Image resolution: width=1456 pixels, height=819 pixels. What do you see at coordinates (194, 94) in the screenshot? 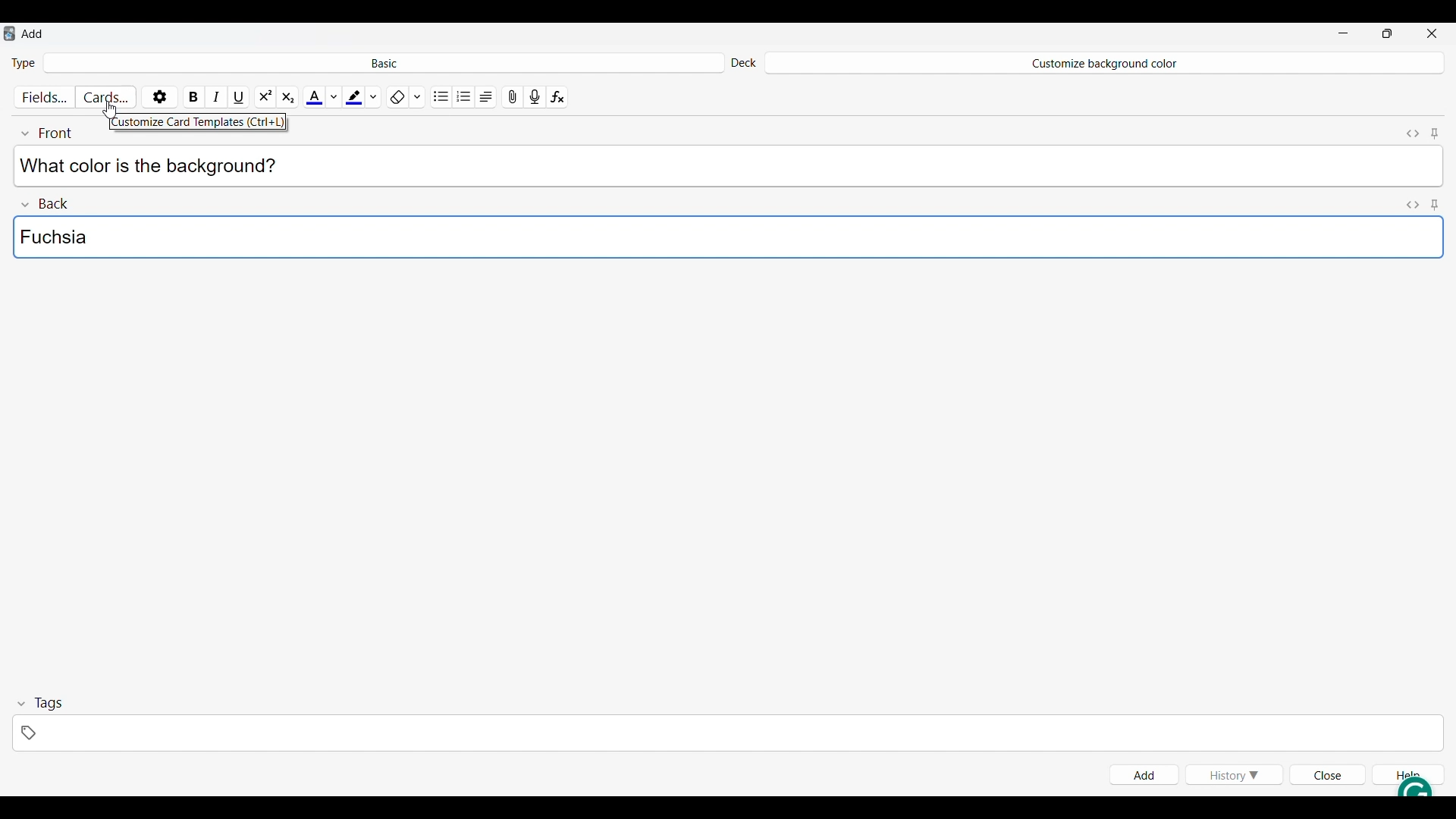
I see `Bold` at bounding box center [194, 94].